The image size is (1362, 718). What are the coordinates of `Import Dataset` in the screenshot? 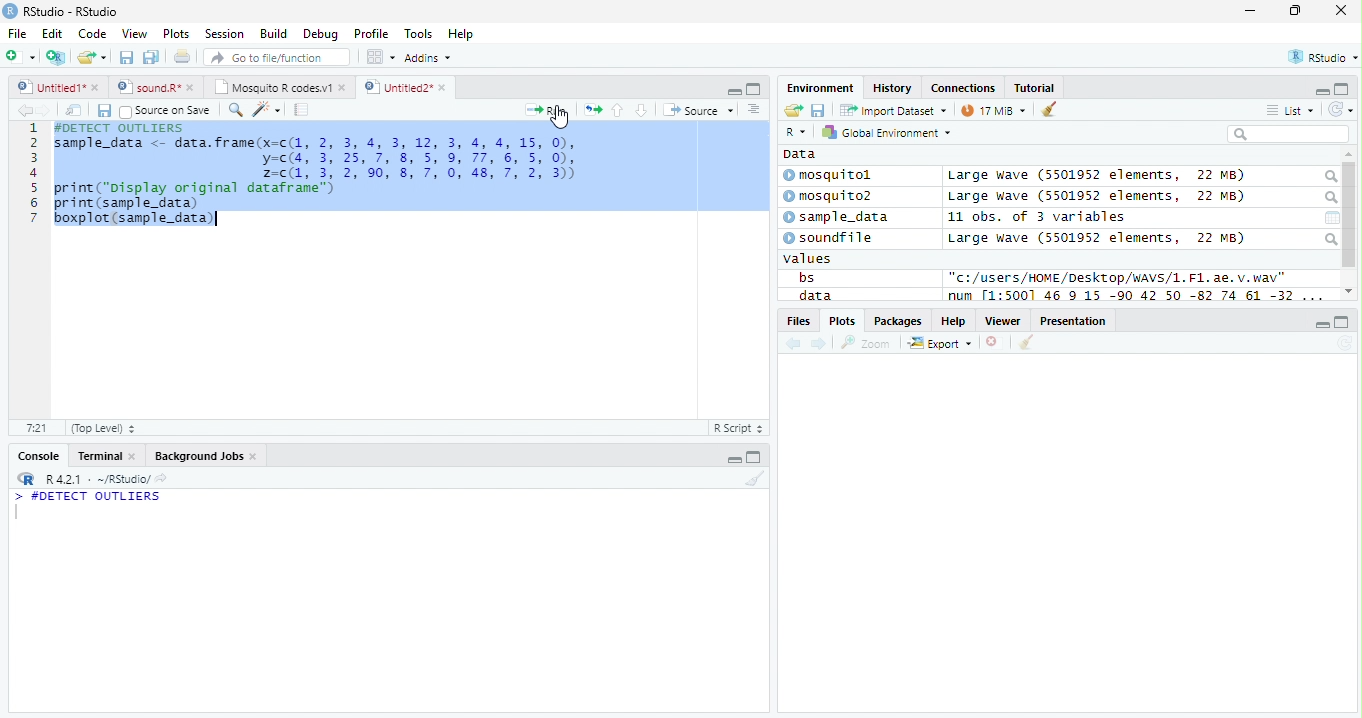 It's located at (893, 111).